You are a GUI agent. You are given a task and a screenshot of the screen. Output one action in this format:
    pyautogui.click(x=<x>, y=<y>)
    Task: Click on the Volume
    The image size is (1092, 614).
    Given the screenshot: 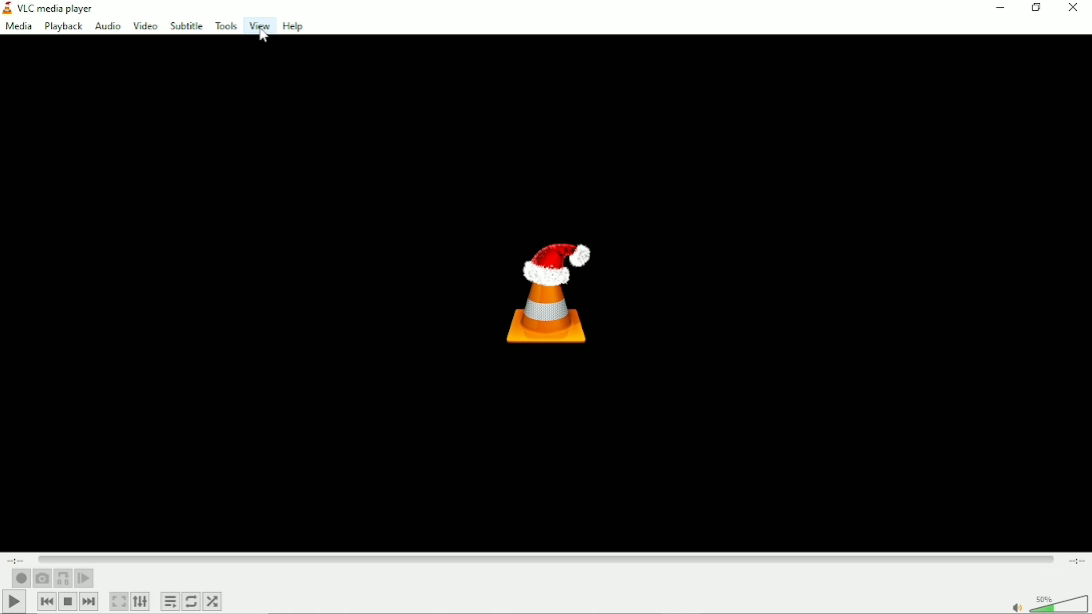 What is the action you would take?
    pyautogui.click(x=1040, y=597)
    